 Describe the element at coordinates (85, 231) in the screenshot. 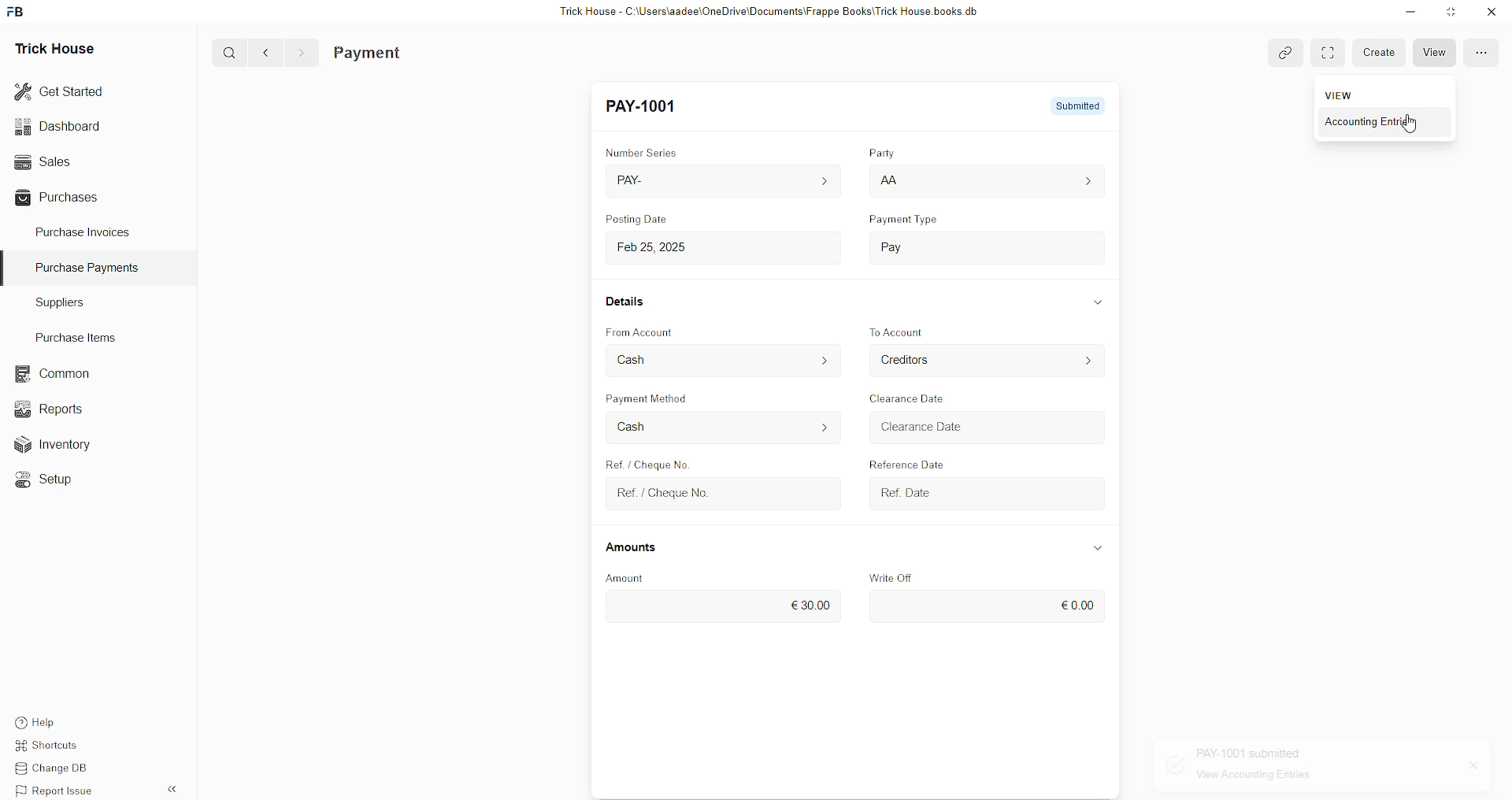

I see `Purchase Invoices` at that location.